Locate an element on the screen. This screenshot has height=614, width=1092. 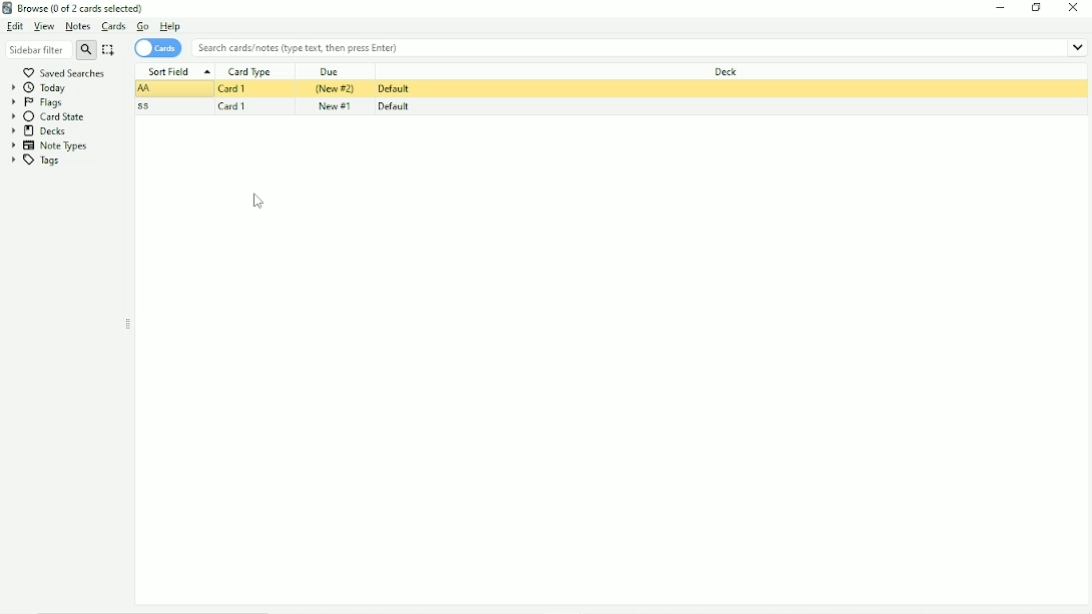
View is located at coordinates (44, 27).